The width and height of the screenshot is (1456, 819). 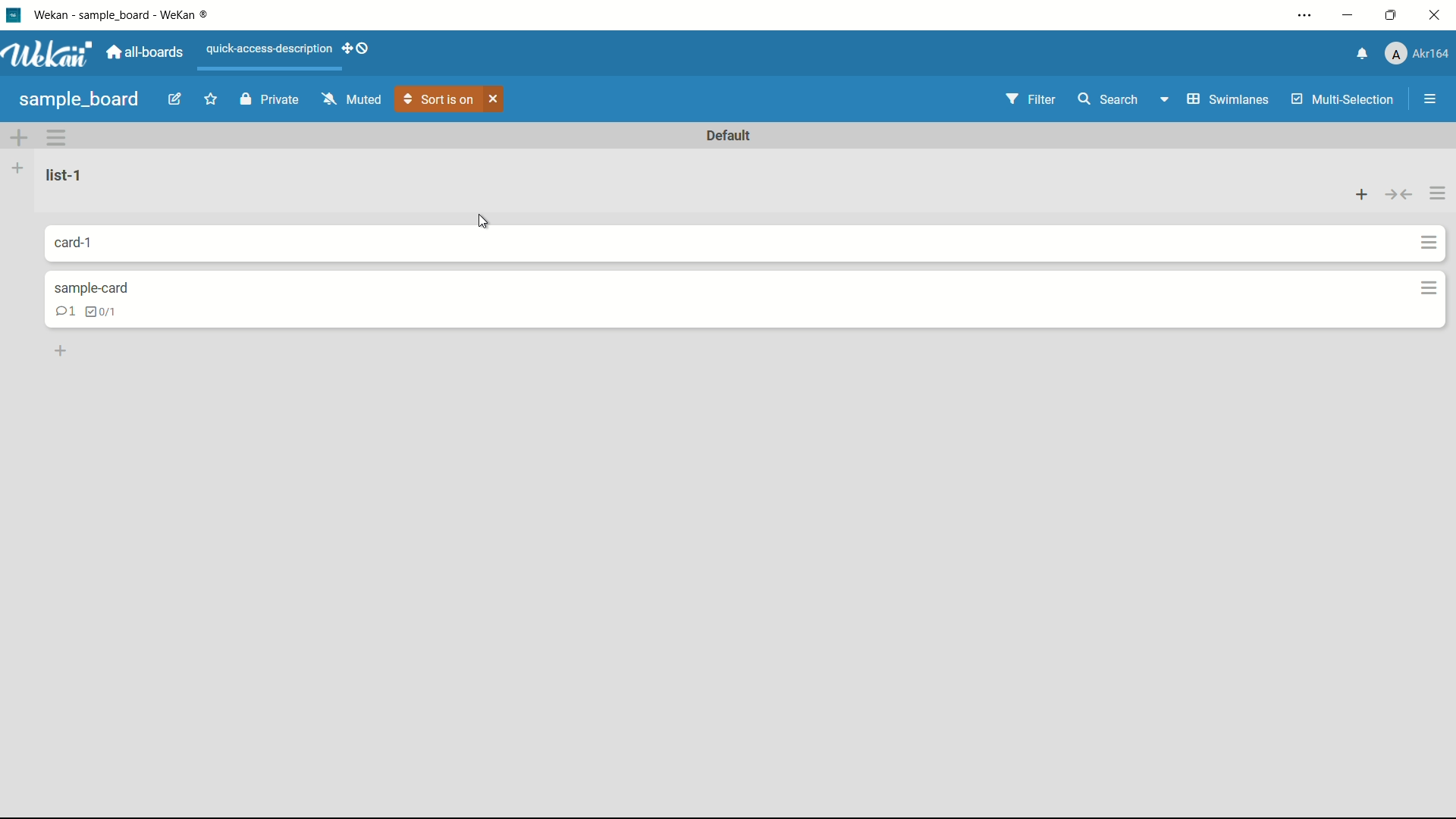 What do you see at coordinates (1417, 53) in the screenshot?
I see `profile` at bounding box center [1417, 53].